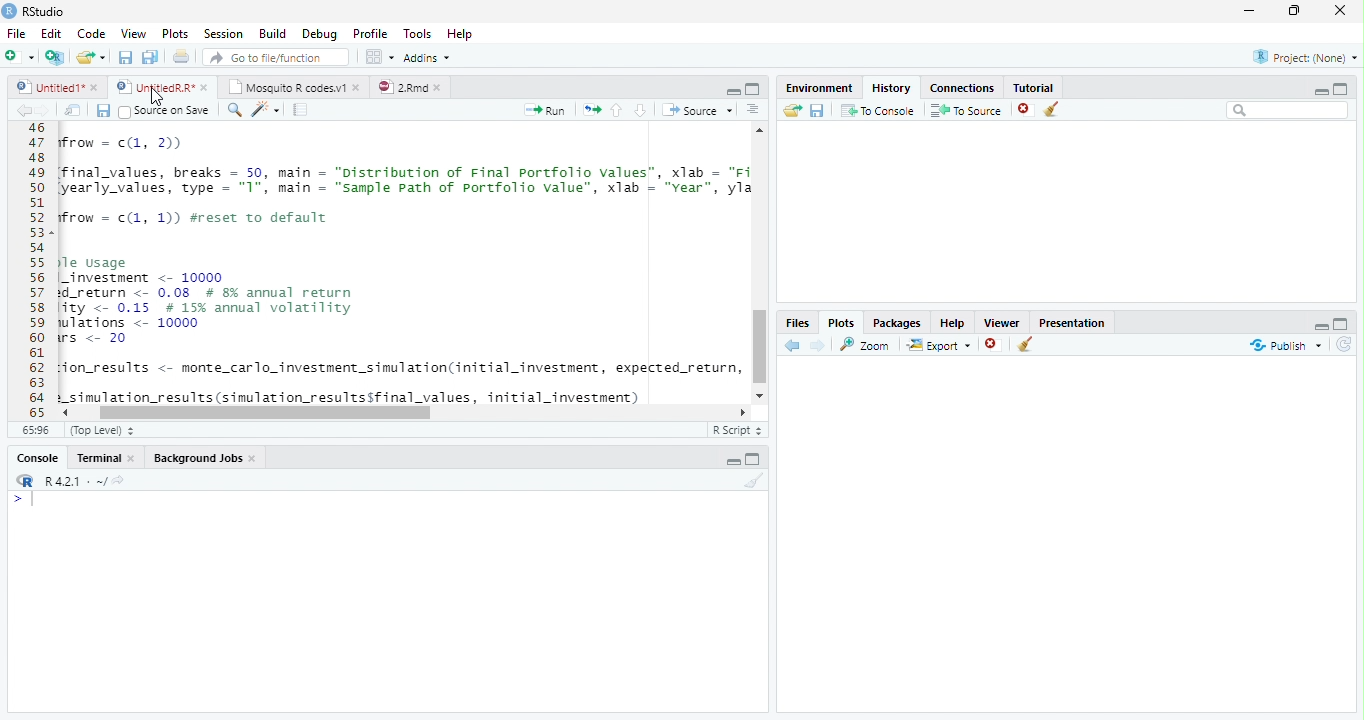 Image resolution: width=1364 pixels, height=720 pixels. Describe the element at coordinates (34, 430) in the screenshot. I see `1:1` at that location.